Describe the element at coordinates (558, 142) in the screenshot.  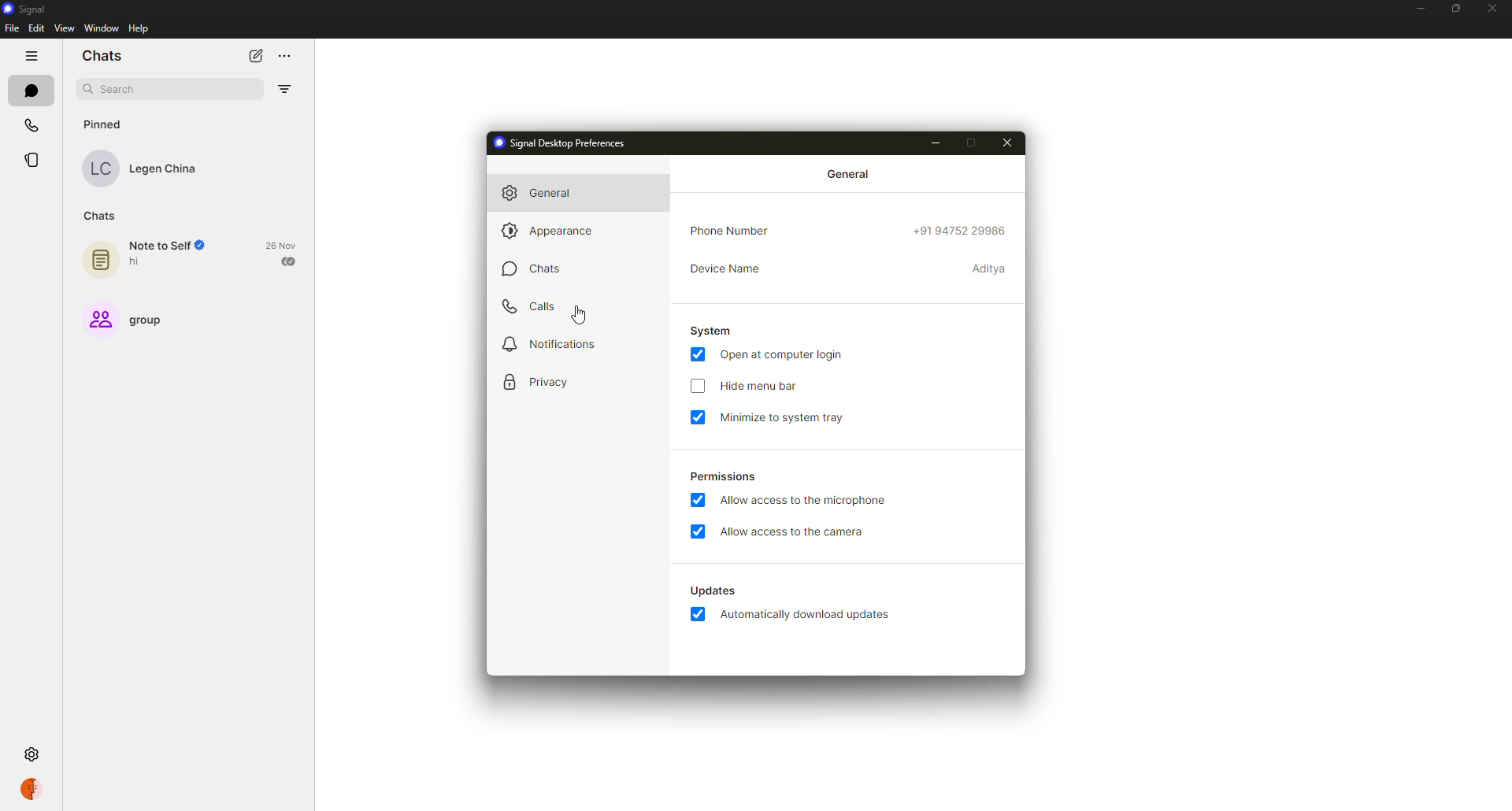
I see `signal desktop preferences` at that location.